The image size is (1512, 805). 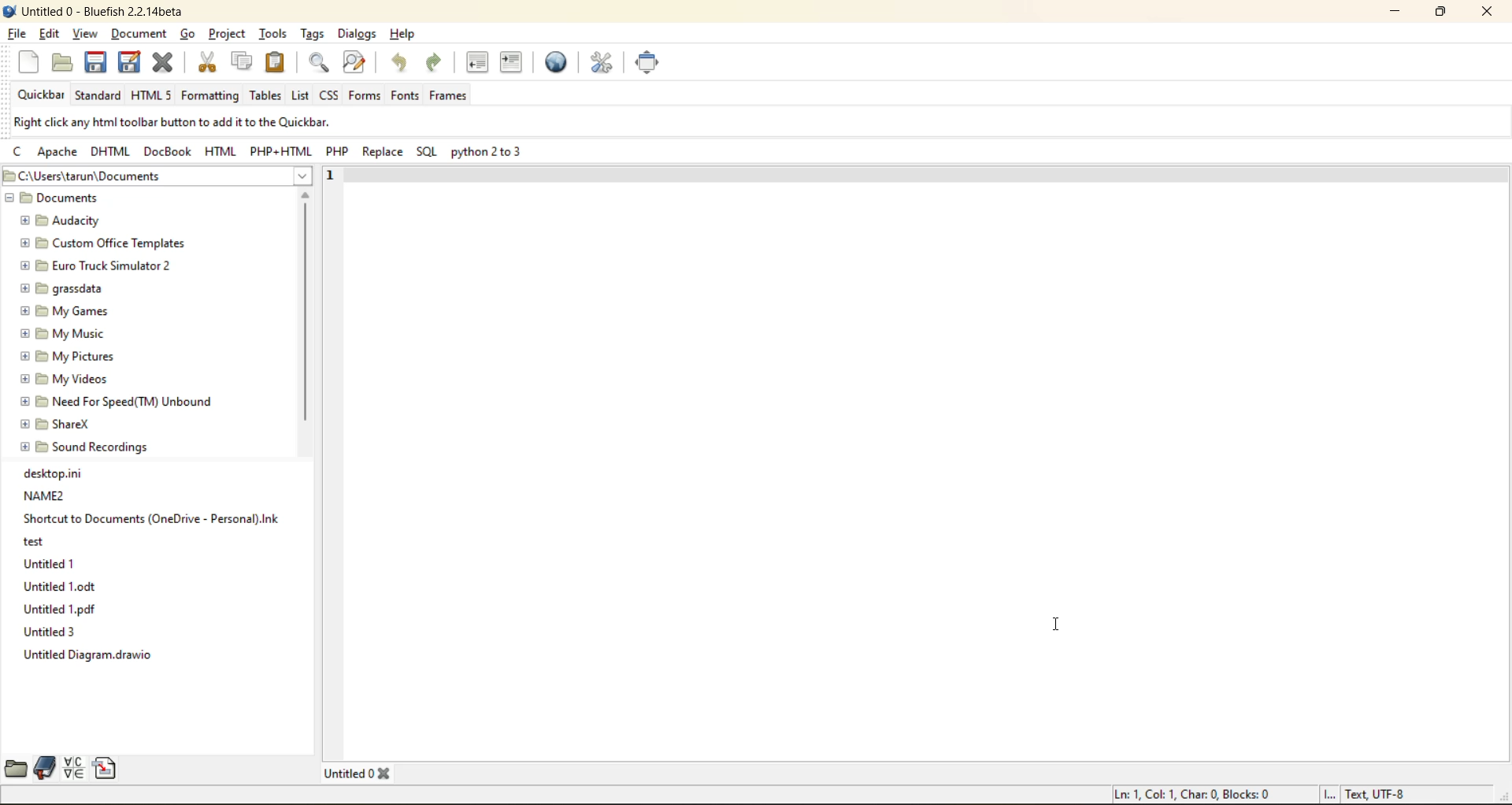 I want to click on css, so click(x=331, y=93).